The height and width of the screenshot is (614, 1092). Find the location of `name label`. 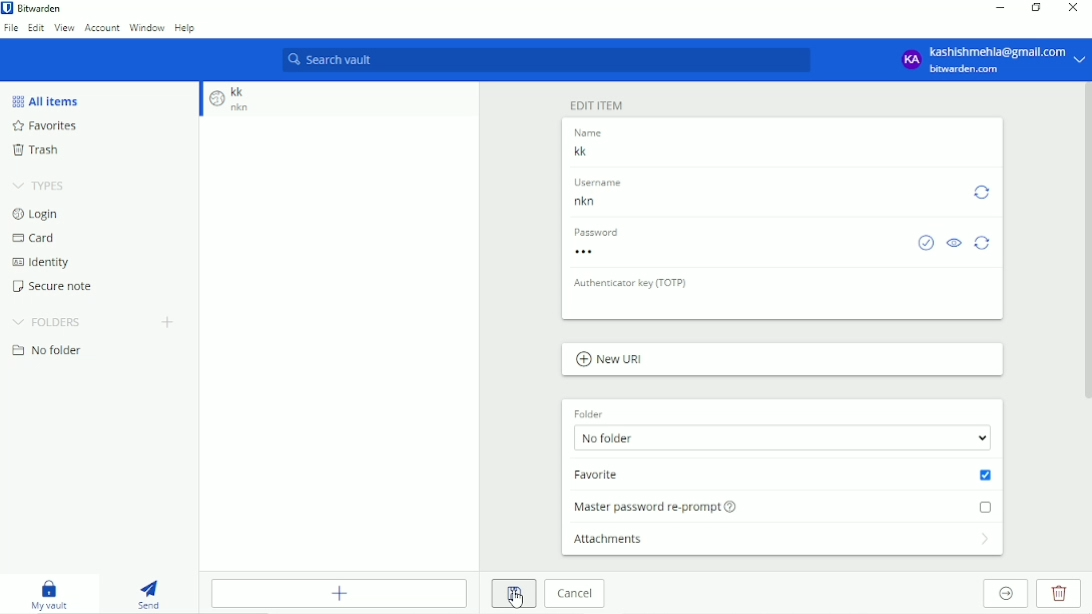

name label is located at coordinates (596, 132).